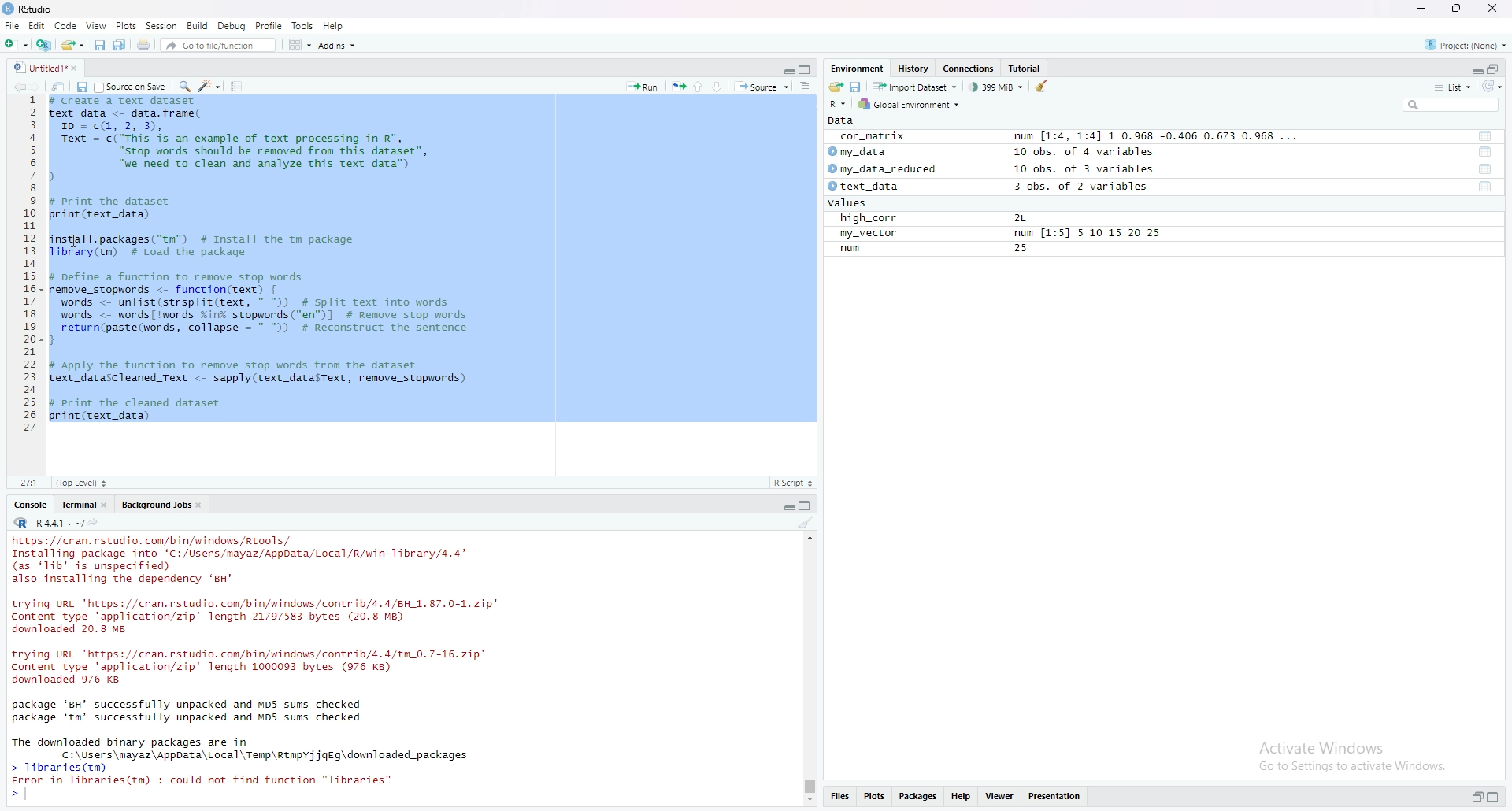  Describe the element at coordinates (15, 45) in the screenshot. I see `new file` at that location.